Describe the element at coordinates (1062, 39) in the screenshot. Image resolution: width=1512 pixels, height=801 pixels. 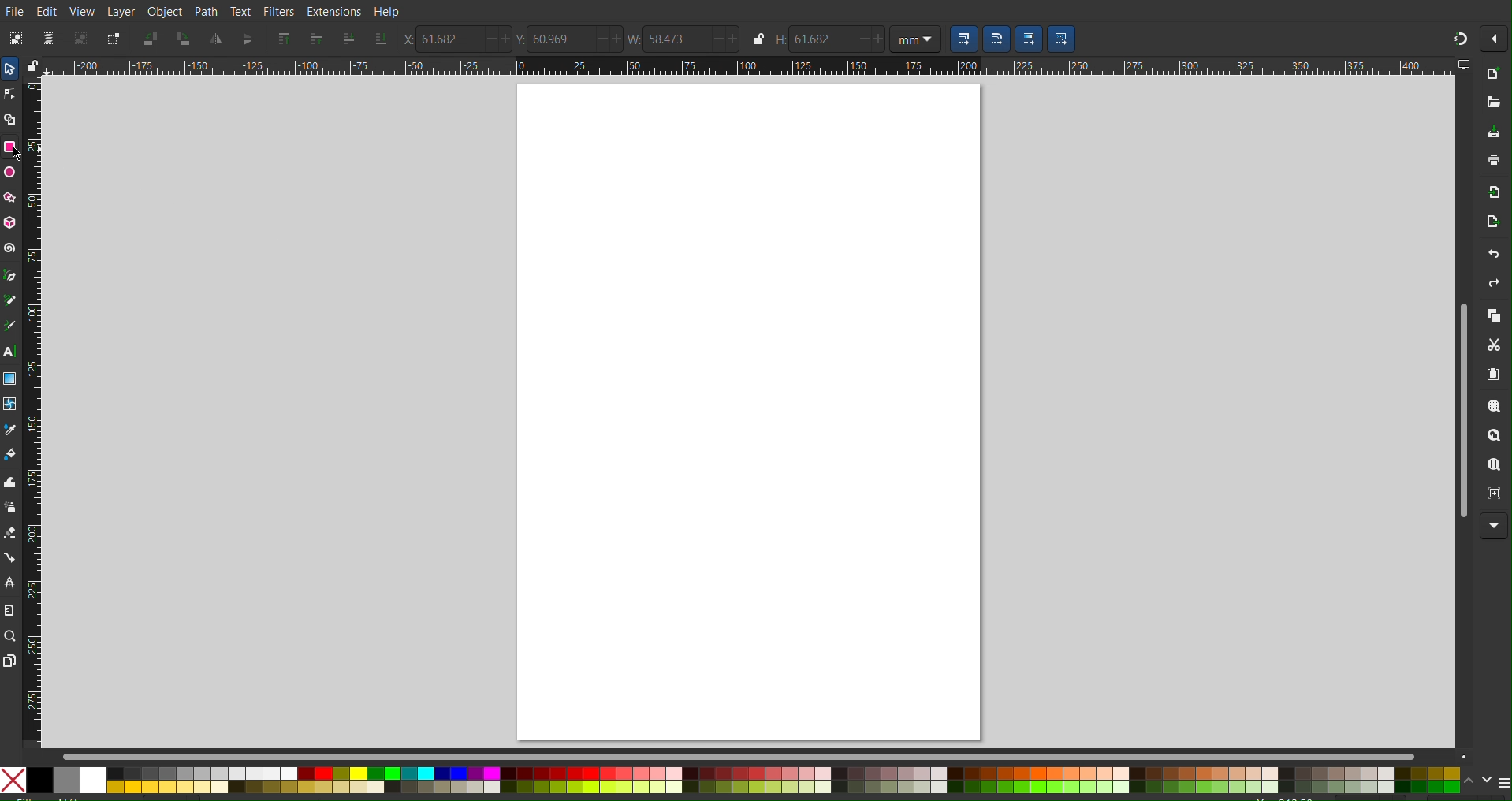
I see `Scaling Option 4` at that location.